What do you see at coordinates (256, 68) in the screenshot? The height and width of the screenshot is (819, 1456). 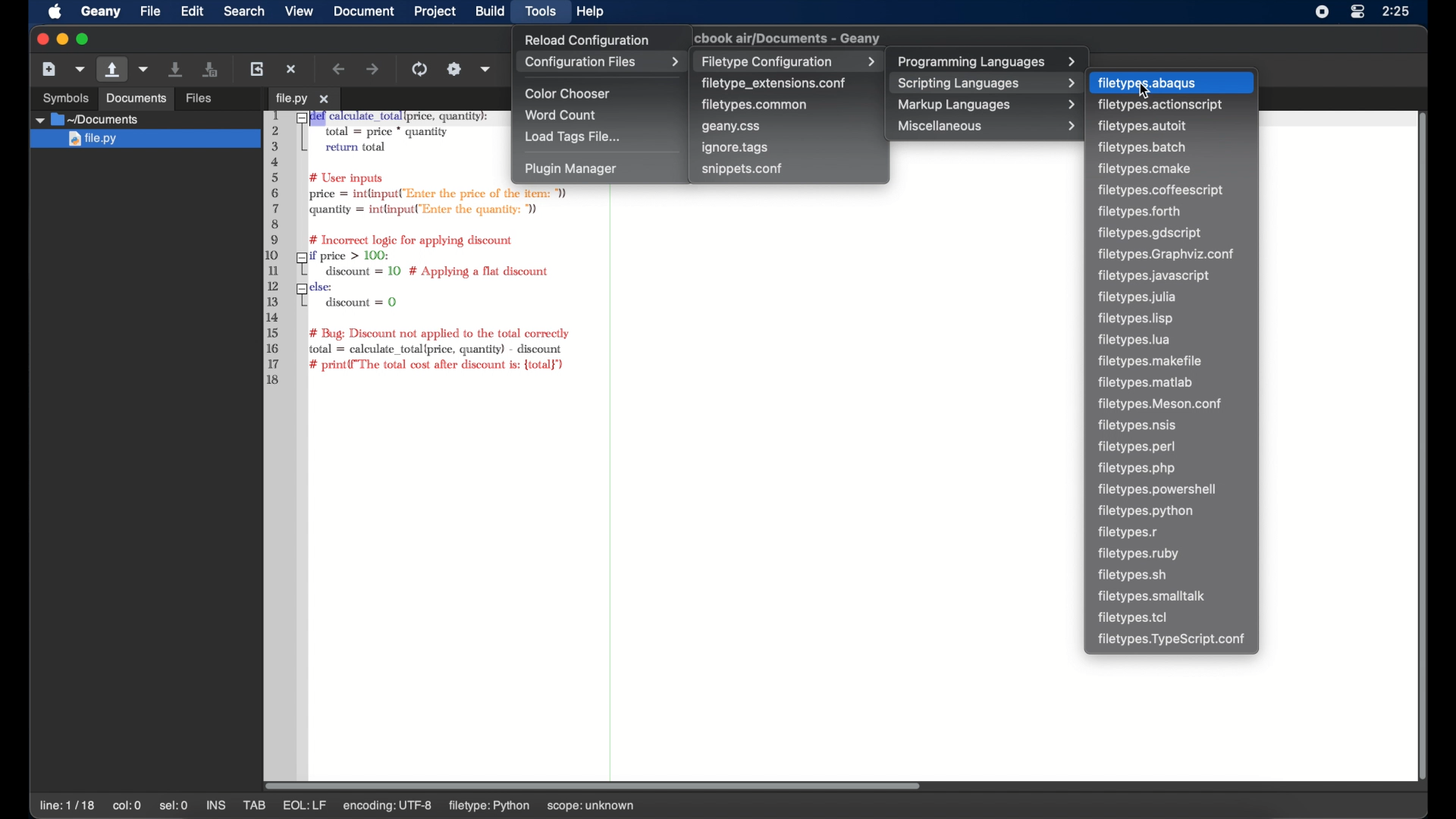 I see `reload current file from disk` at bounding box center [256, 68].